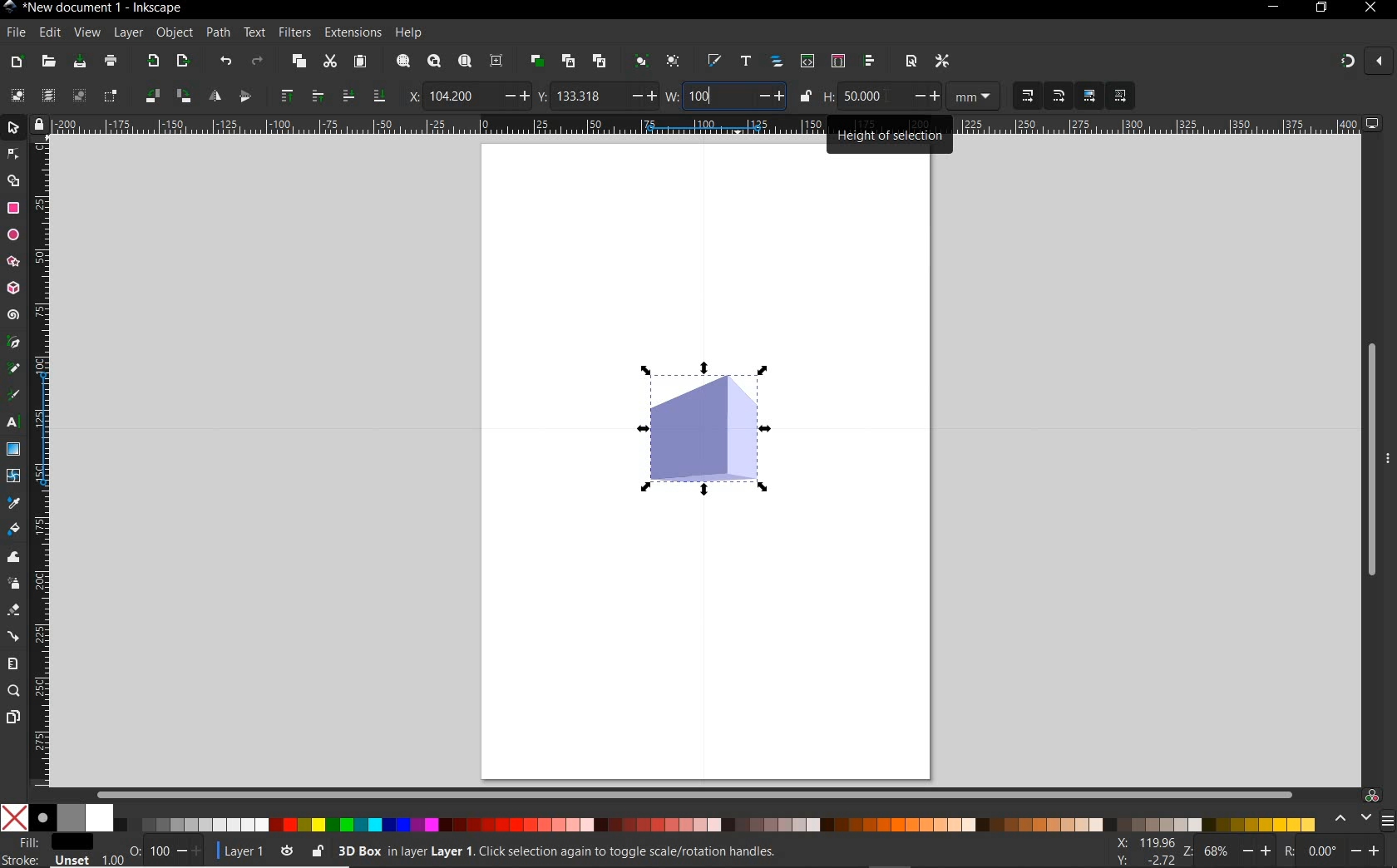 Image resolution: width=1397 pixels, height=868 pixels. What do you see at coordinates (745, 62) in the screenshot?
I see `open text` at bounding box center [745, 62].